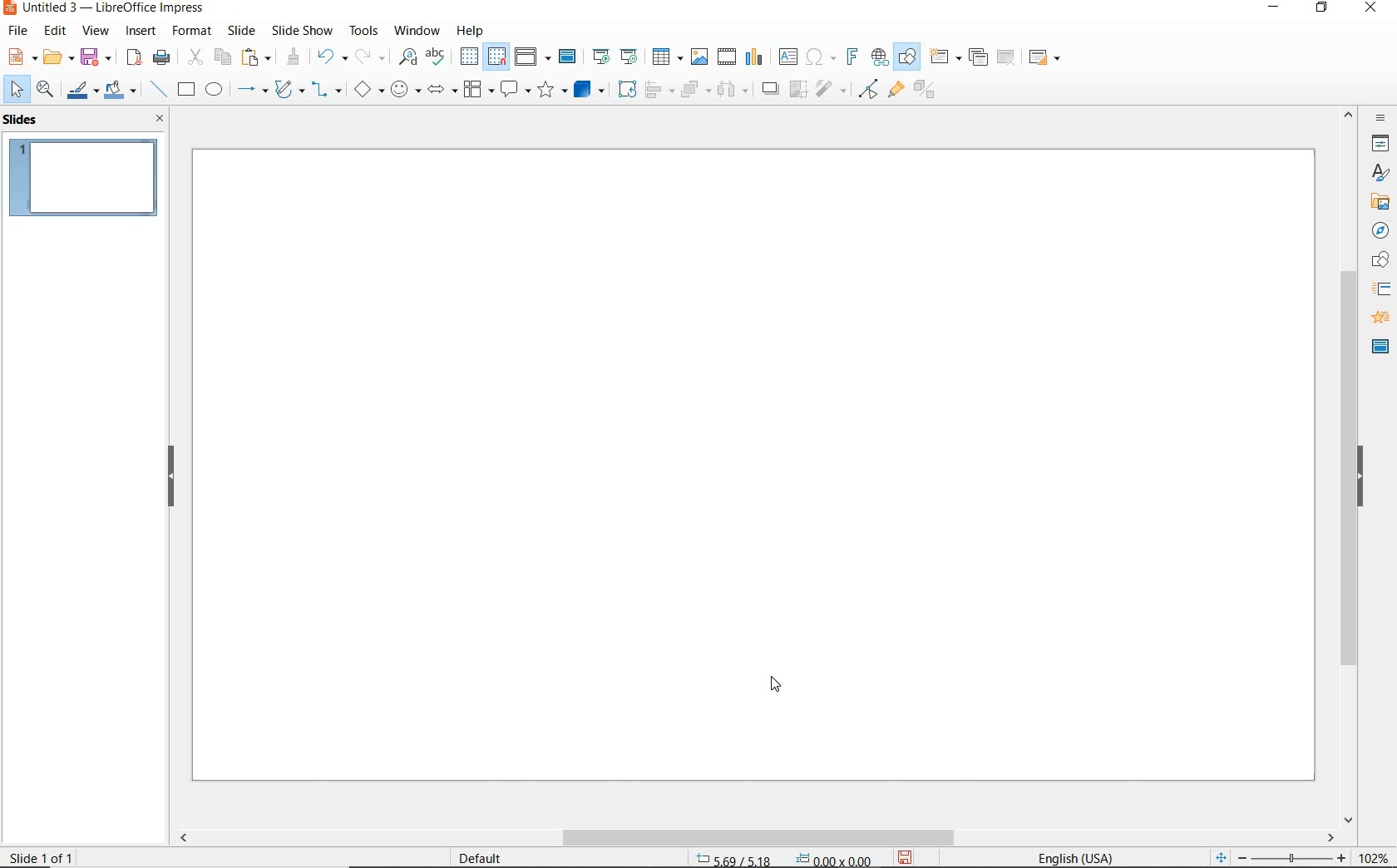  Describe the element at coordinates (404, 89) in the screenshot. I see `SYMBOL SHAPES` at that location.